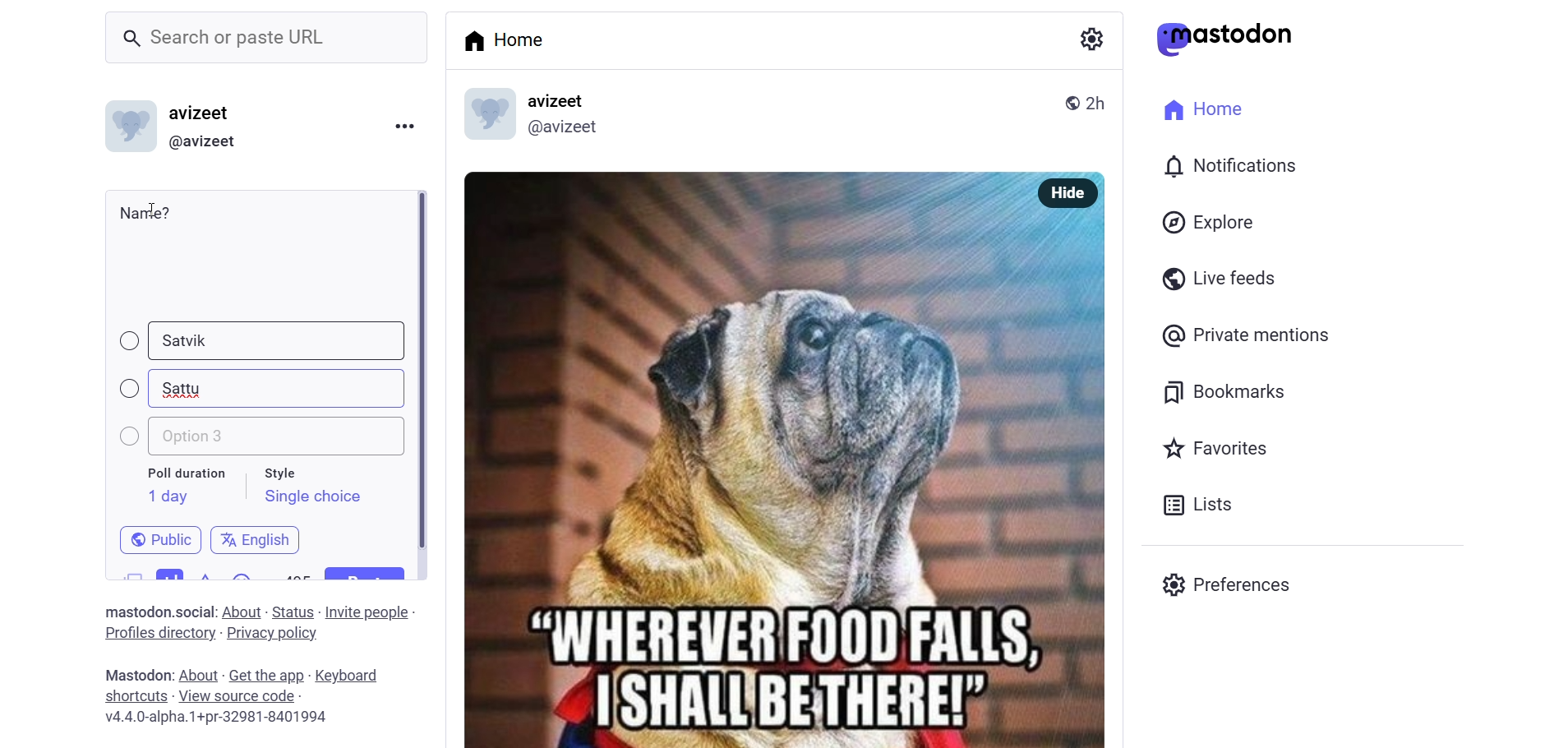  I want to click on privacy policy, so click(272, 635).